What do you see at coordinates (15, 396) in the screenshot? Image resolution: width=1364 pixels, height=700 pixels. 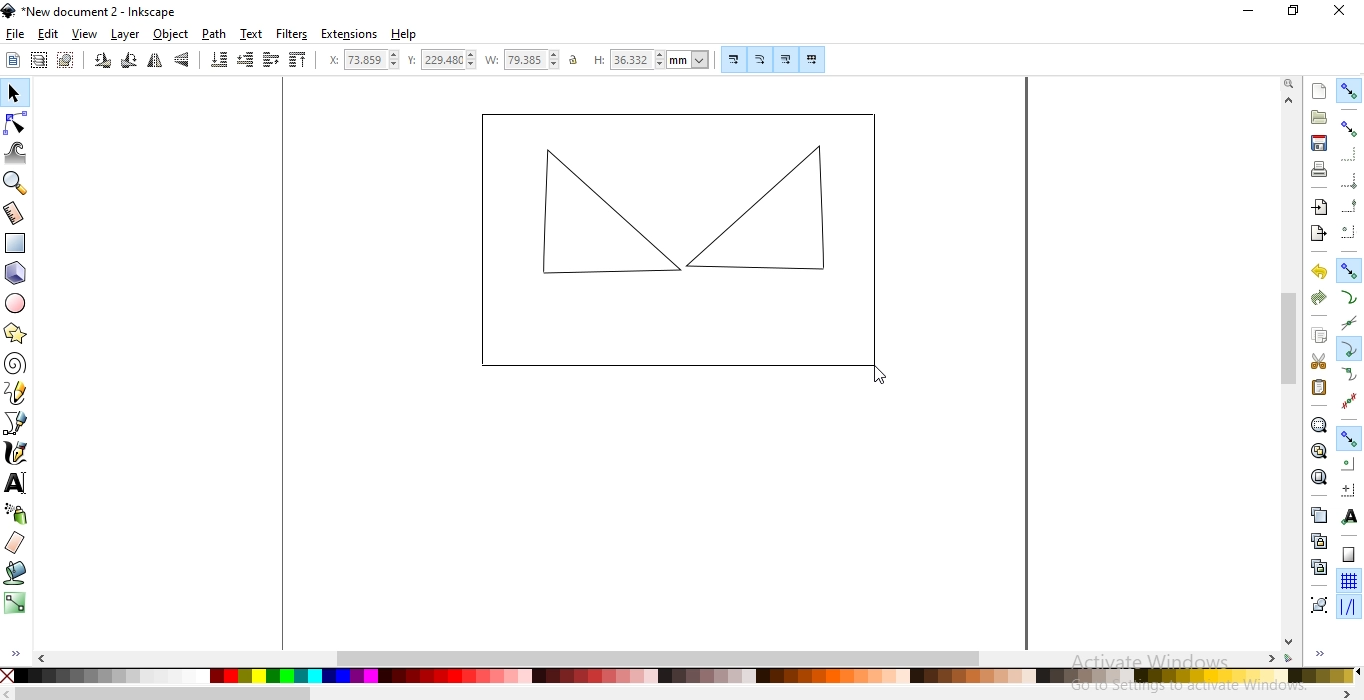 I see `draw freehand lines` at bounding box center [15, 396].